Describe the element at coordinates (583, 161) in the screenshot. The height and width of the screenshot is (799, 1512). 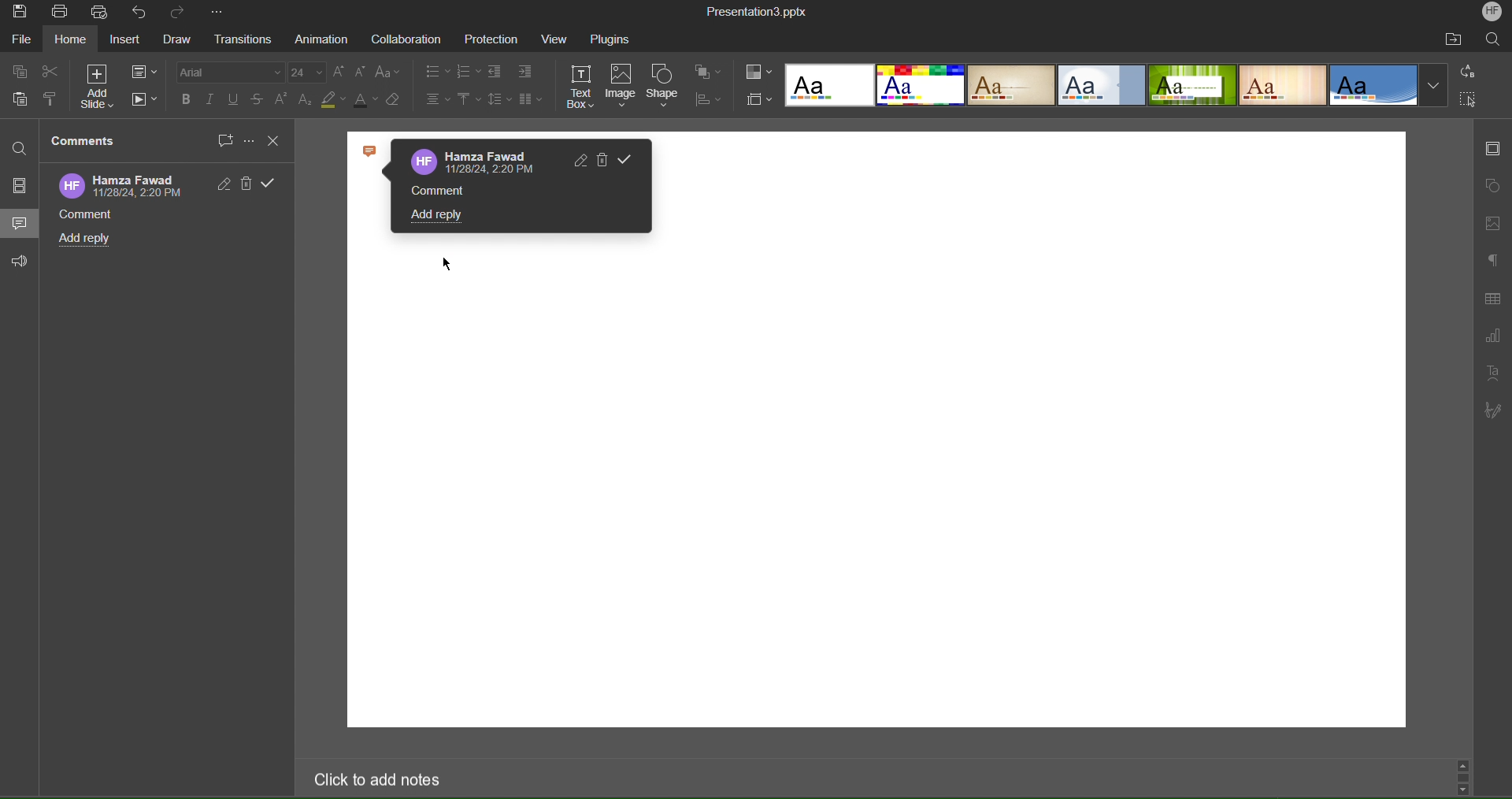
I see `Edit` at that location.